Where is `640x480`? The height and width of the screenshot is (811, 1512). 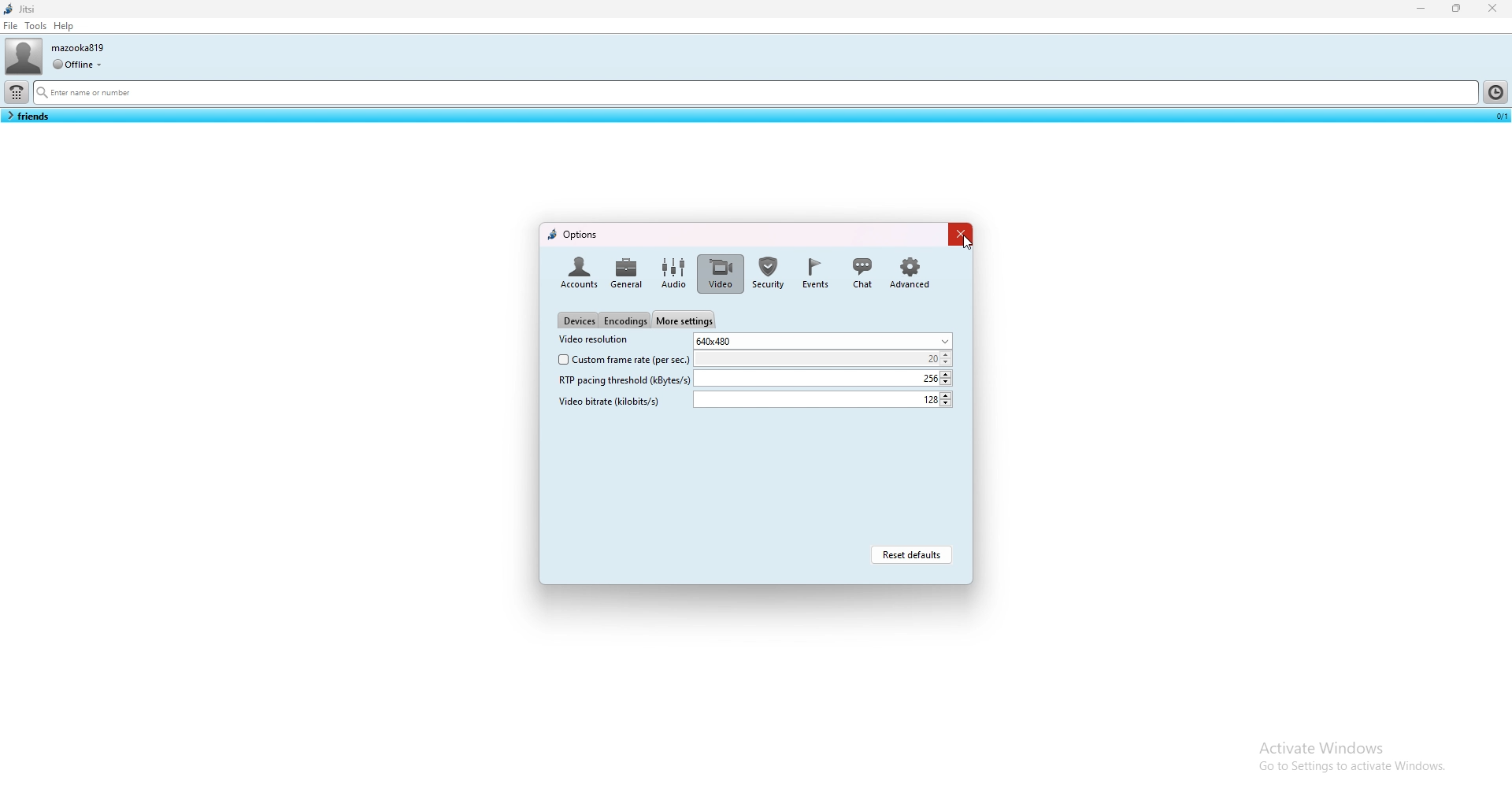
640x480 is located at coordinates (823, 340).